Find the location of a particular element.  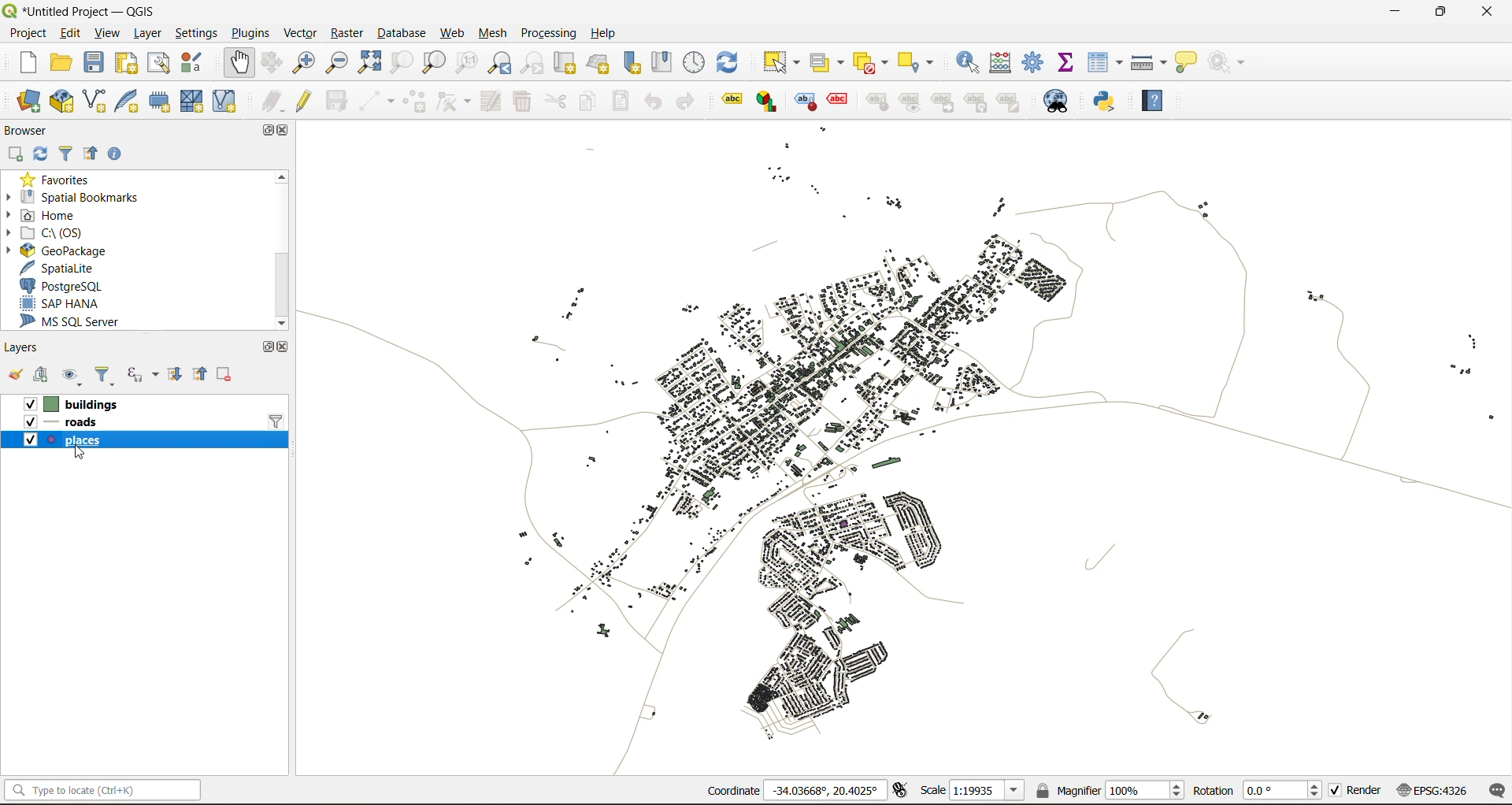

maximize is located at coordinates (256, 344).